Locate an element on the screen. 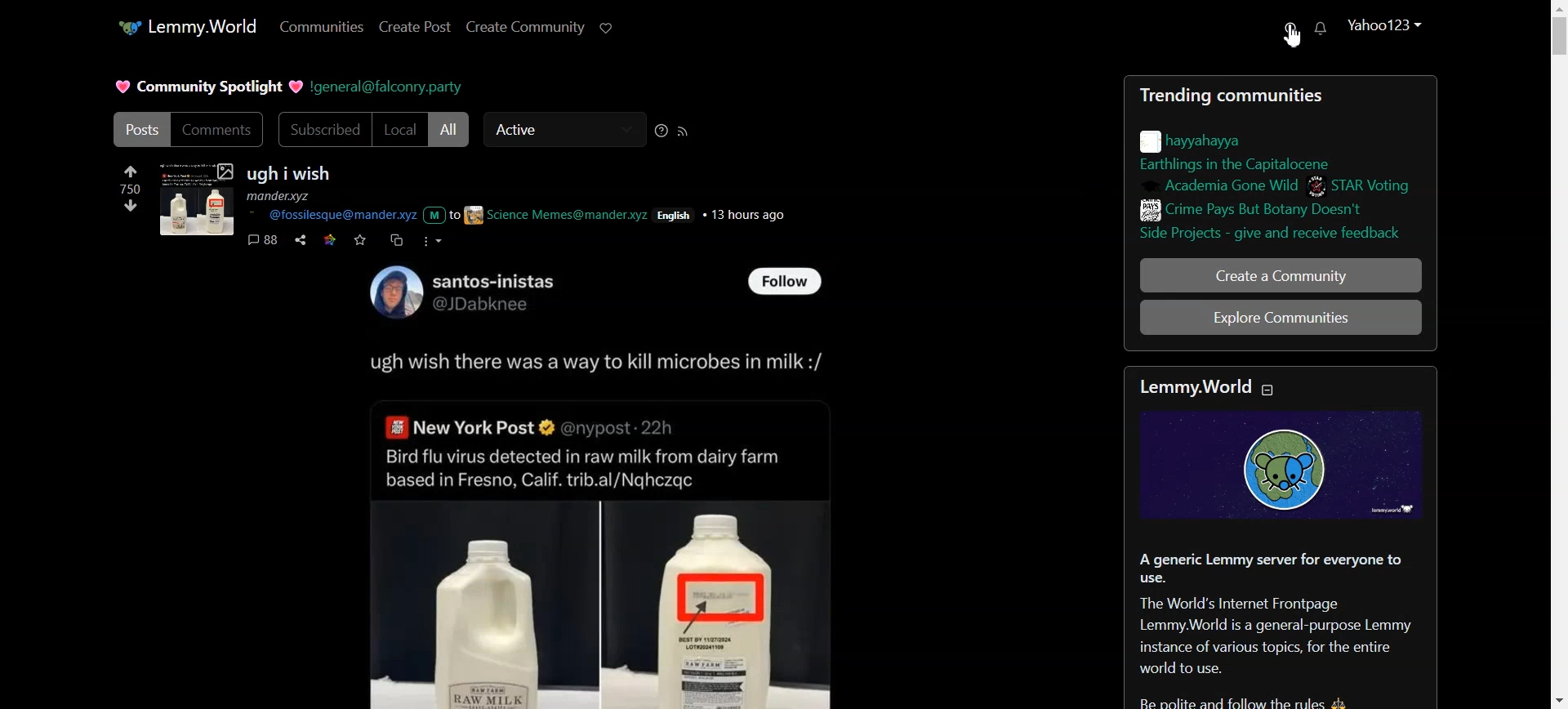 This screenshot has height=709, width=1568. Comment is located at coordinates (262, 239).